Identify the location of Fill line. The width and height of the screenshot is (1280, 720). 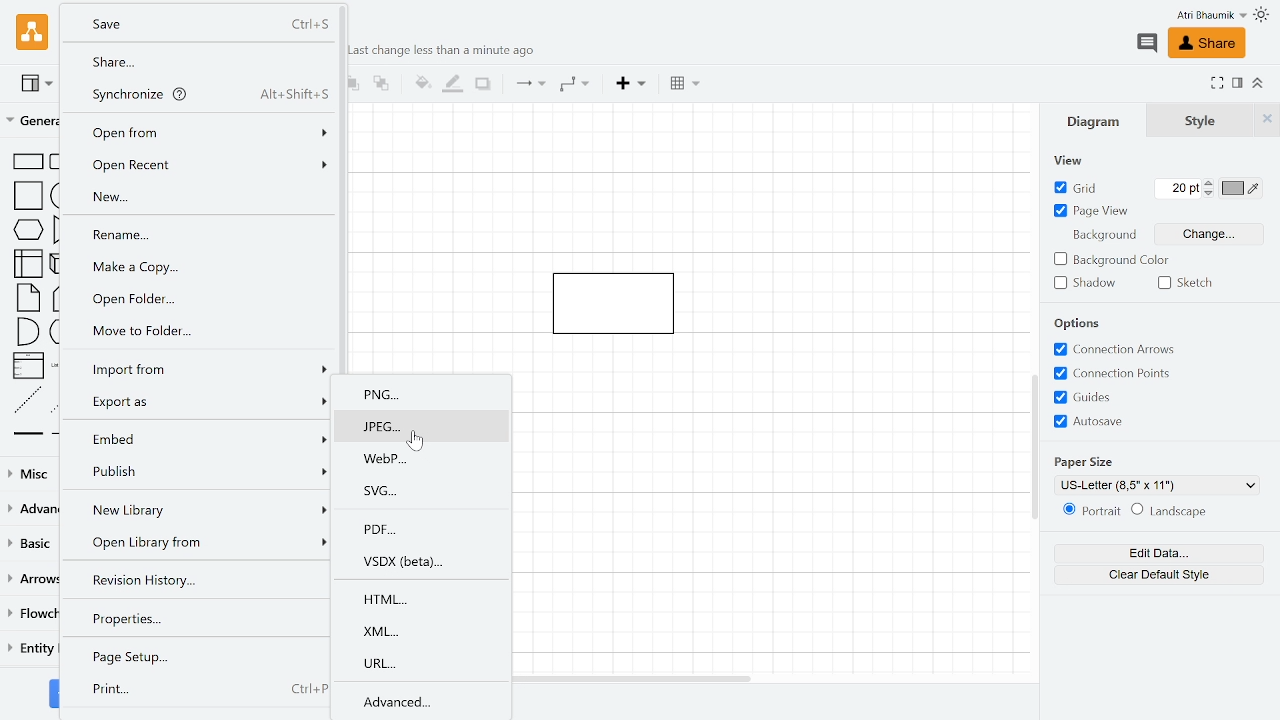
(451, 84).